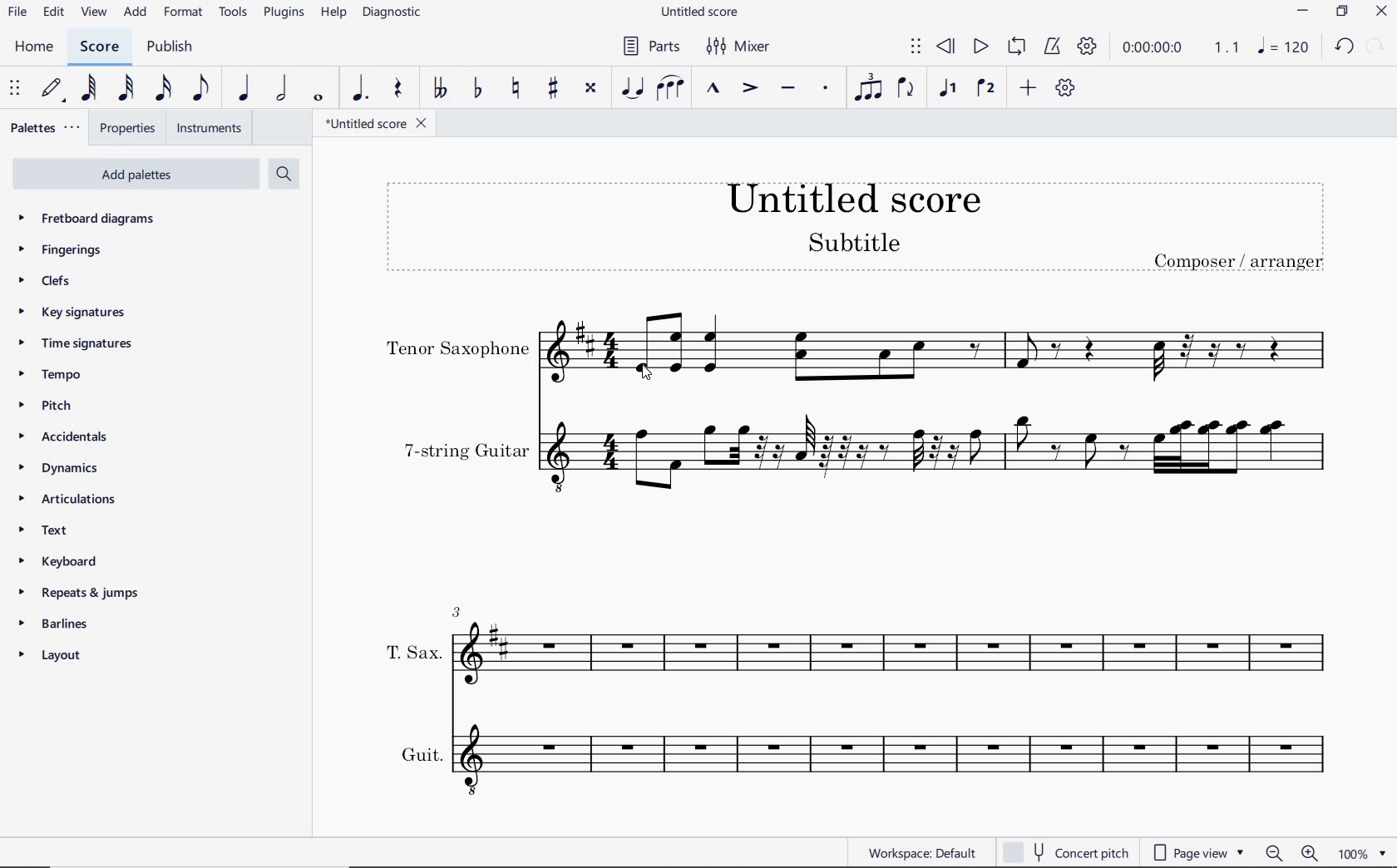  Describe the element at coordinates (1345, 12) in the screenshot. I see `RESTORE DOWN` at that location.